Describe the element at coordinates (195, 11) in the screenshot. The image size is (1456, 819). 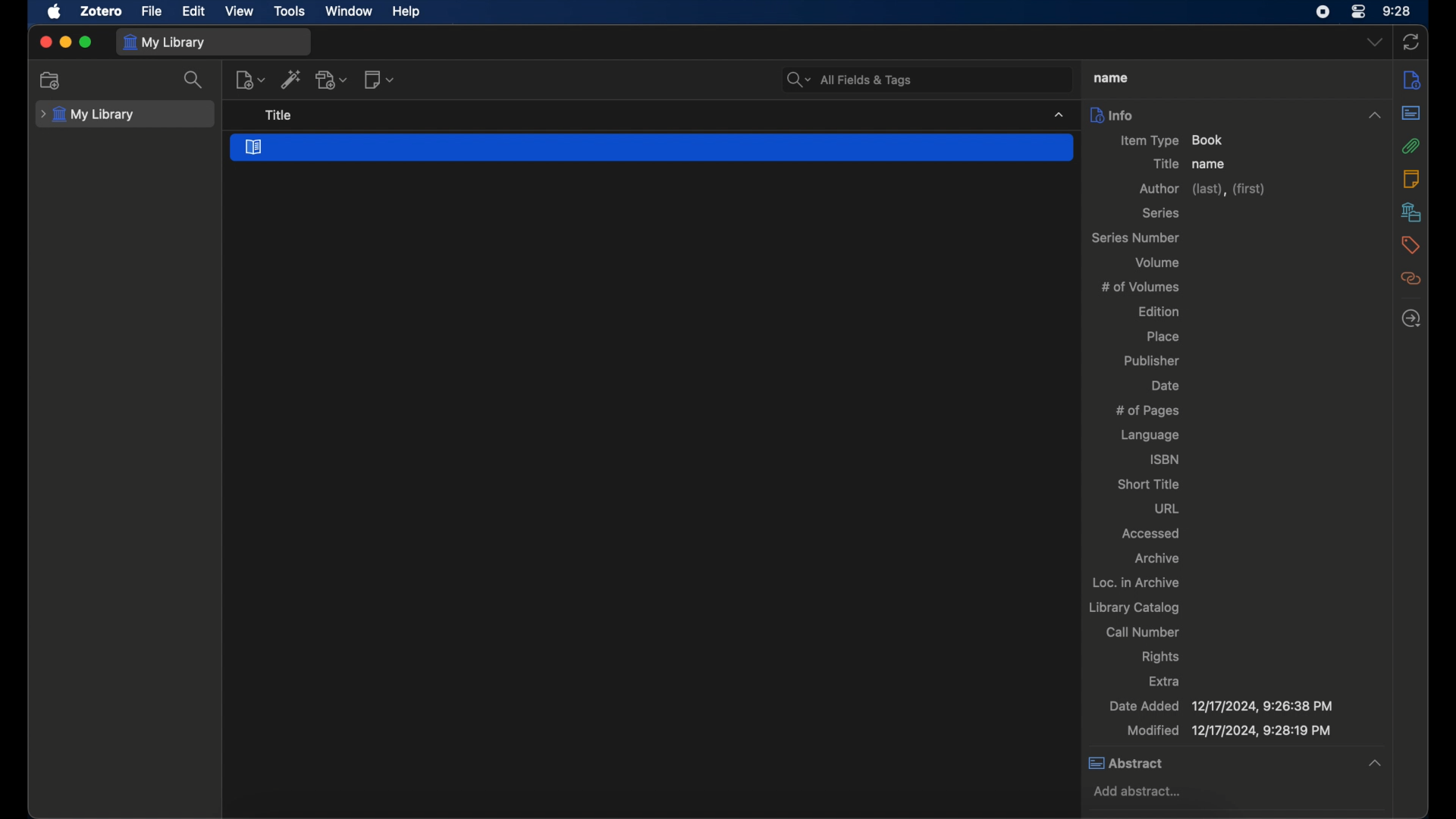
I see `edit` at that location.